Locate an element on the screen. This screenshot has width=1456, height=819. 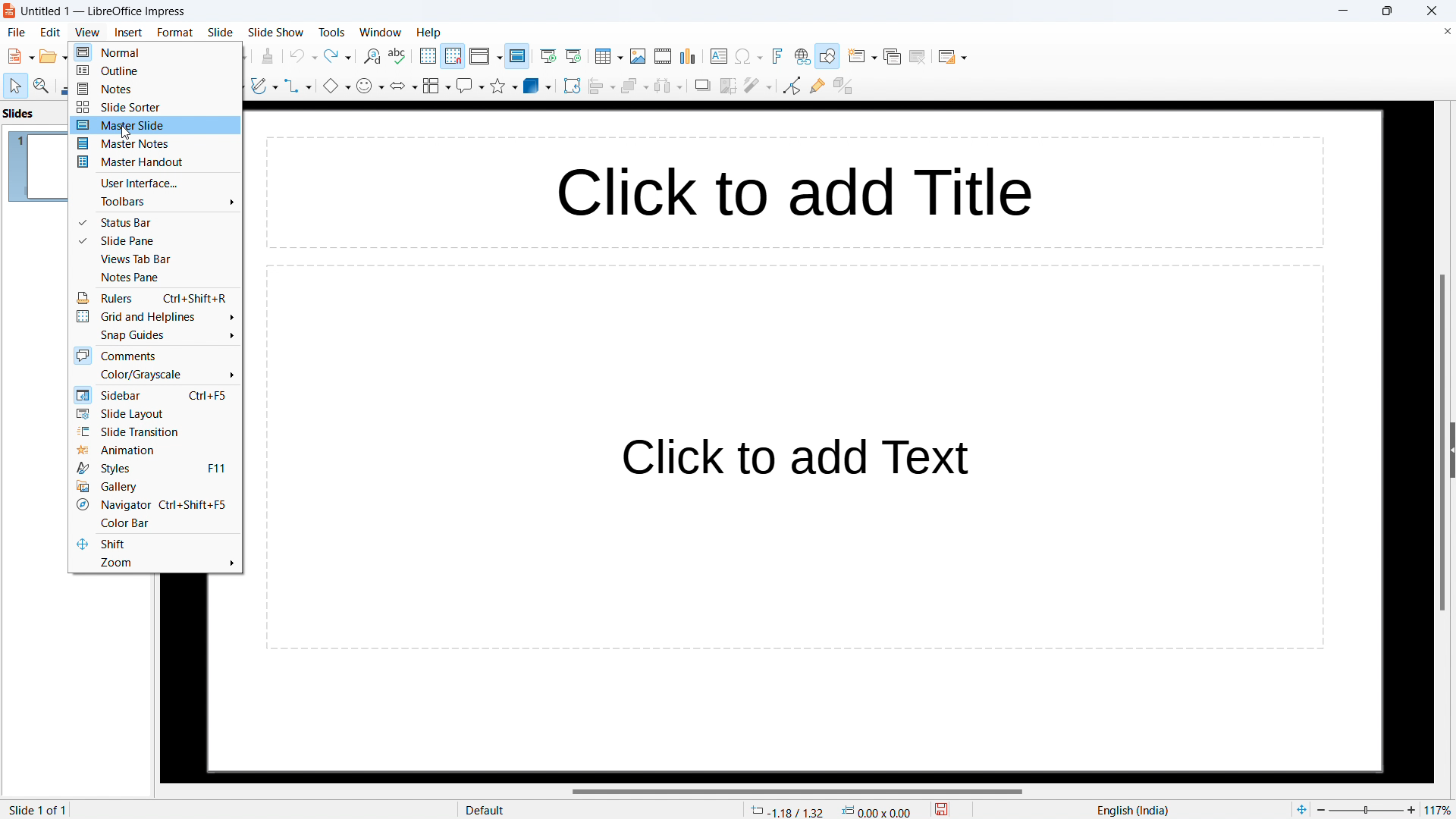
zoom and pan is located at coordinates (42, 85).